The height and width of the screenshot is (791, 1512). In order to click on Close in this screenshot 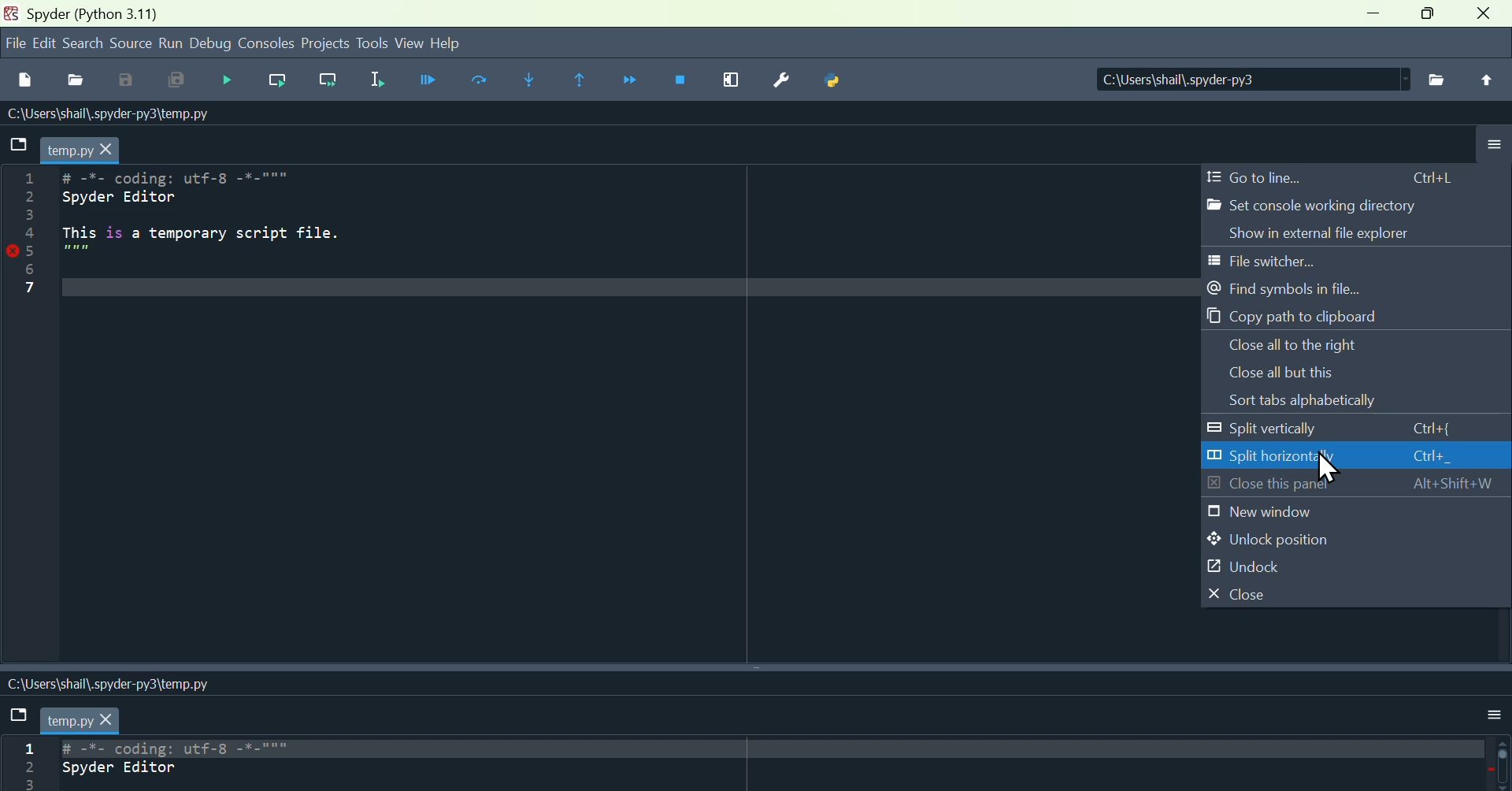, I will do `click(1285, 596)`.